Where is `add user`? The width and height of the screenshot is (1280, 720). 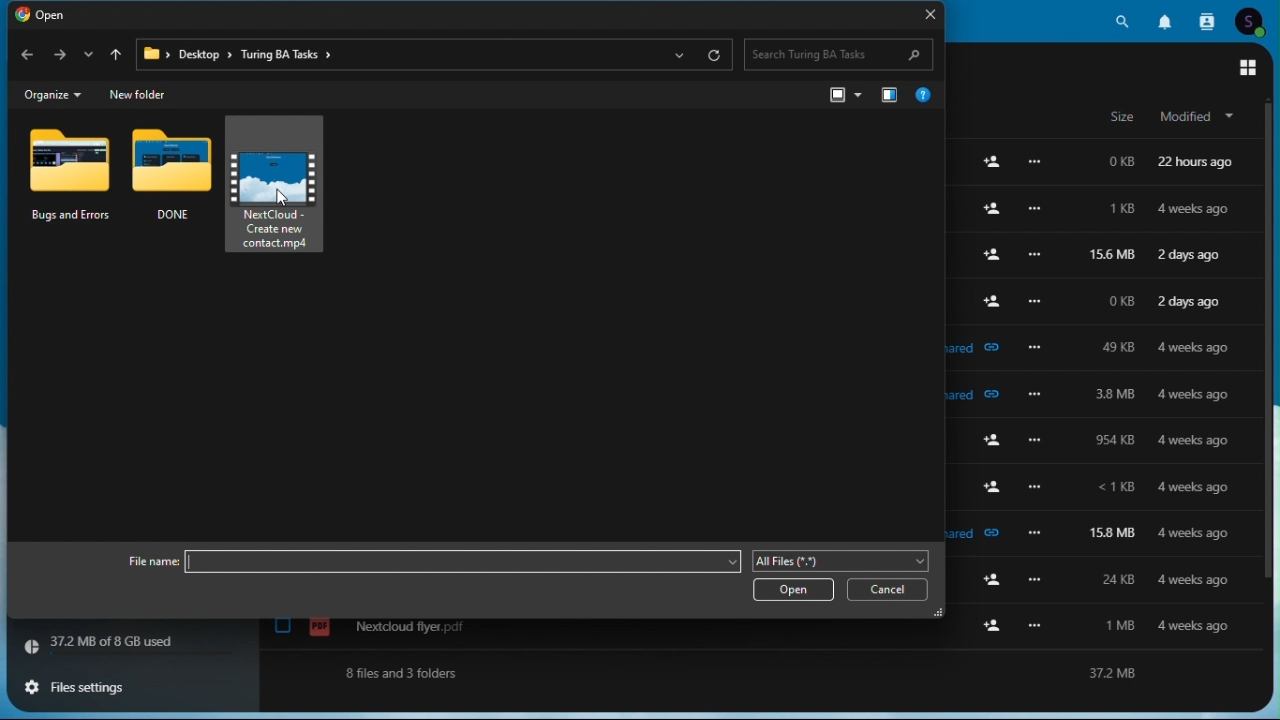
add user is located at coordinates (996, 580).